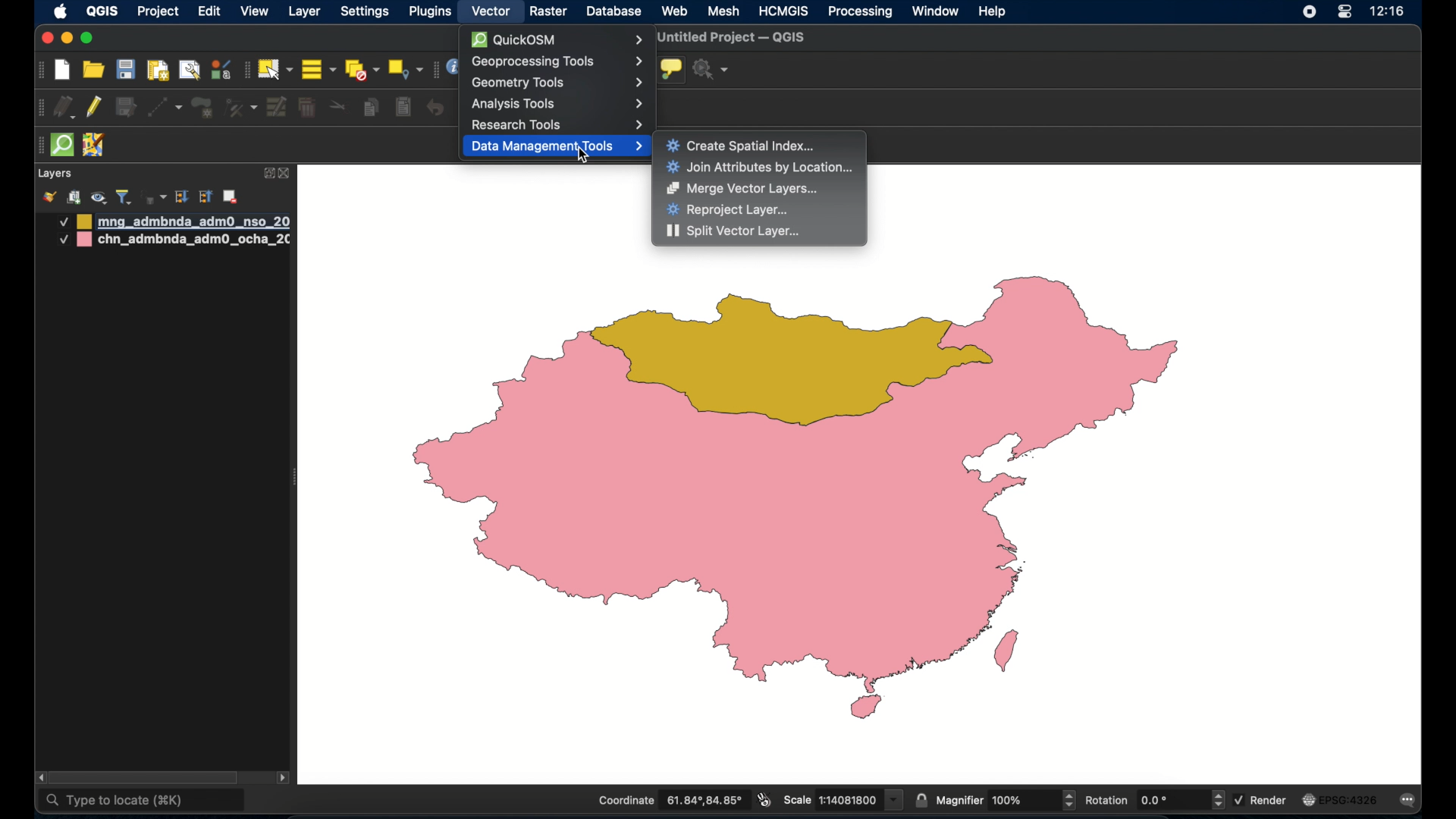 The width and height of the screenshot is (1456, 819). I want to click on quick som, so click(61, 146).